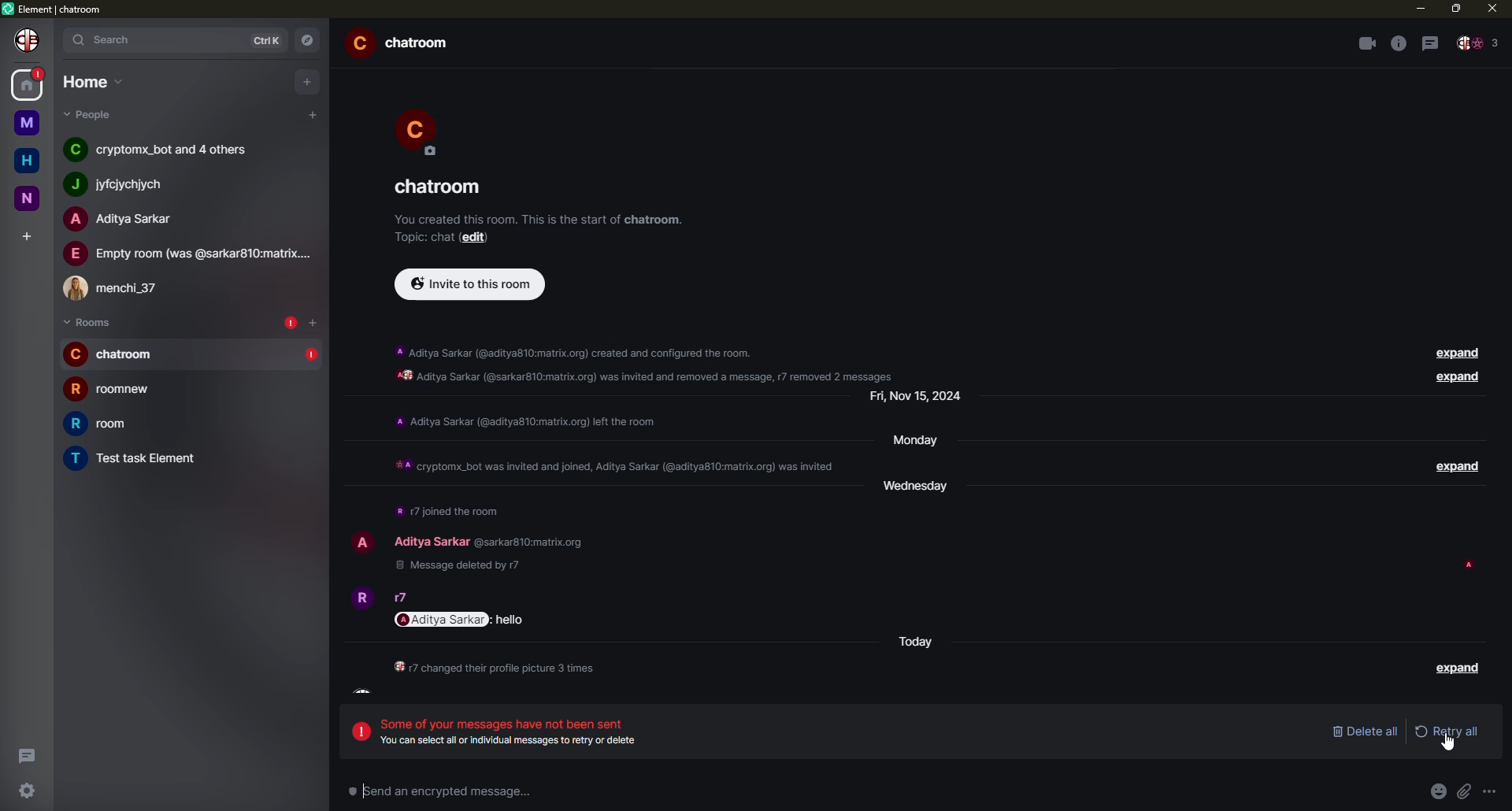  What do you see at coordinates (426, 131) in the screenshot?
I see `profile` at bounding box center [426, 131].